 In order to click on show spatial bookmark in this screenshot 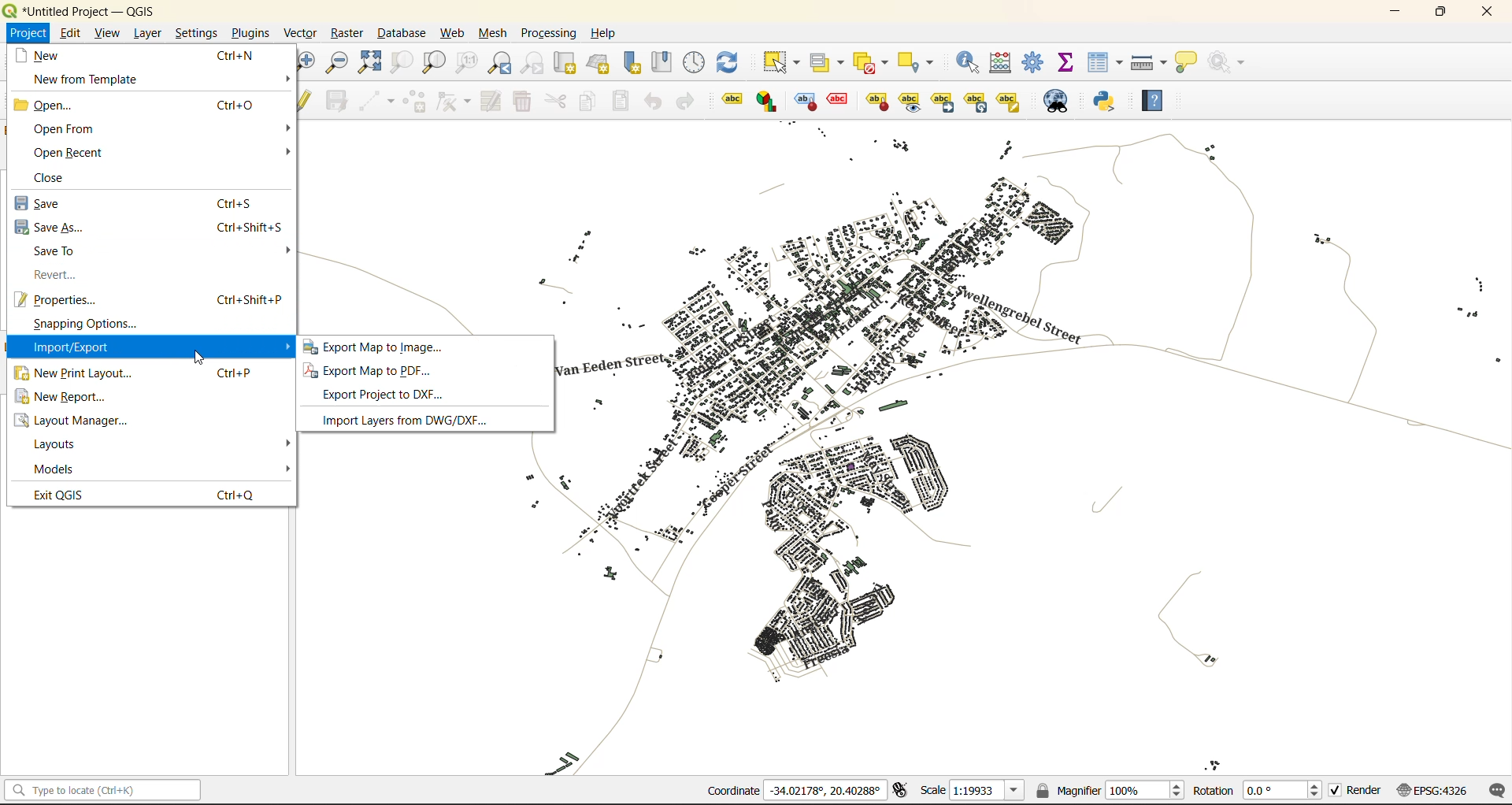, I will do `click(665, 64)`.